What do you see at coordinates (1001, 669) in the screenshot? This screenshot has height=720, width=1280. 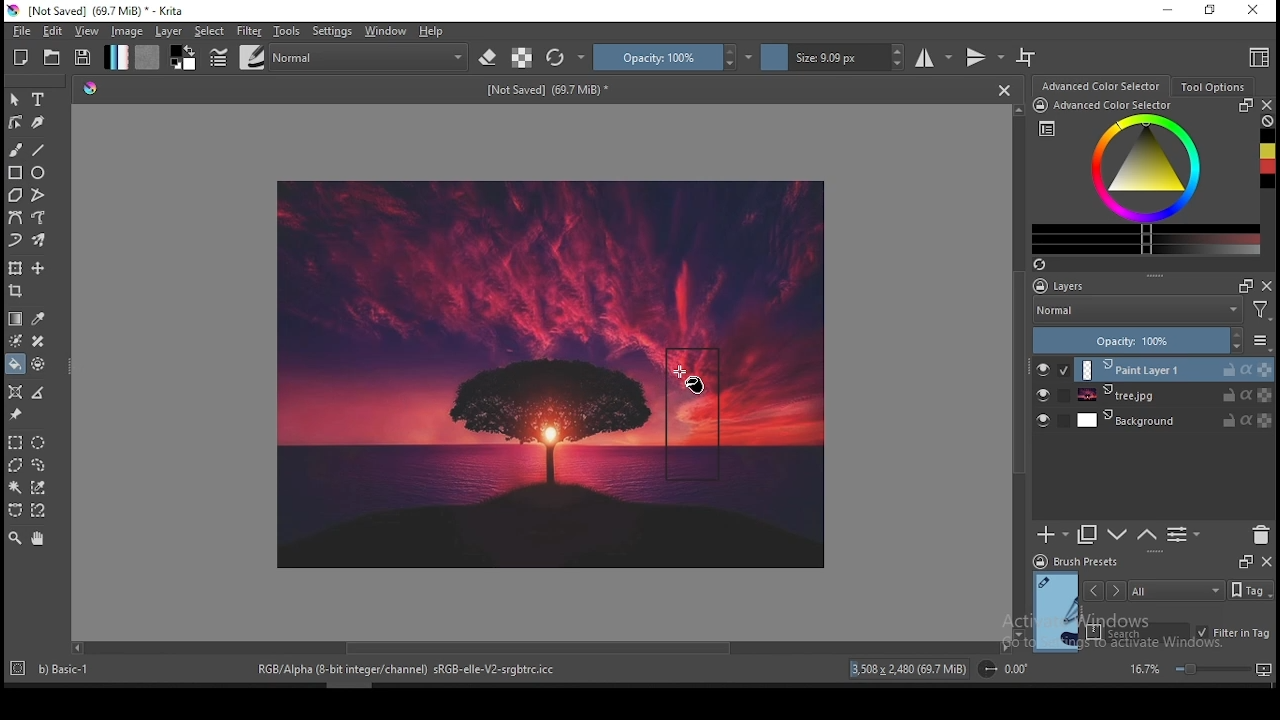 I see `roattion` at bounding box center [1001, 669].